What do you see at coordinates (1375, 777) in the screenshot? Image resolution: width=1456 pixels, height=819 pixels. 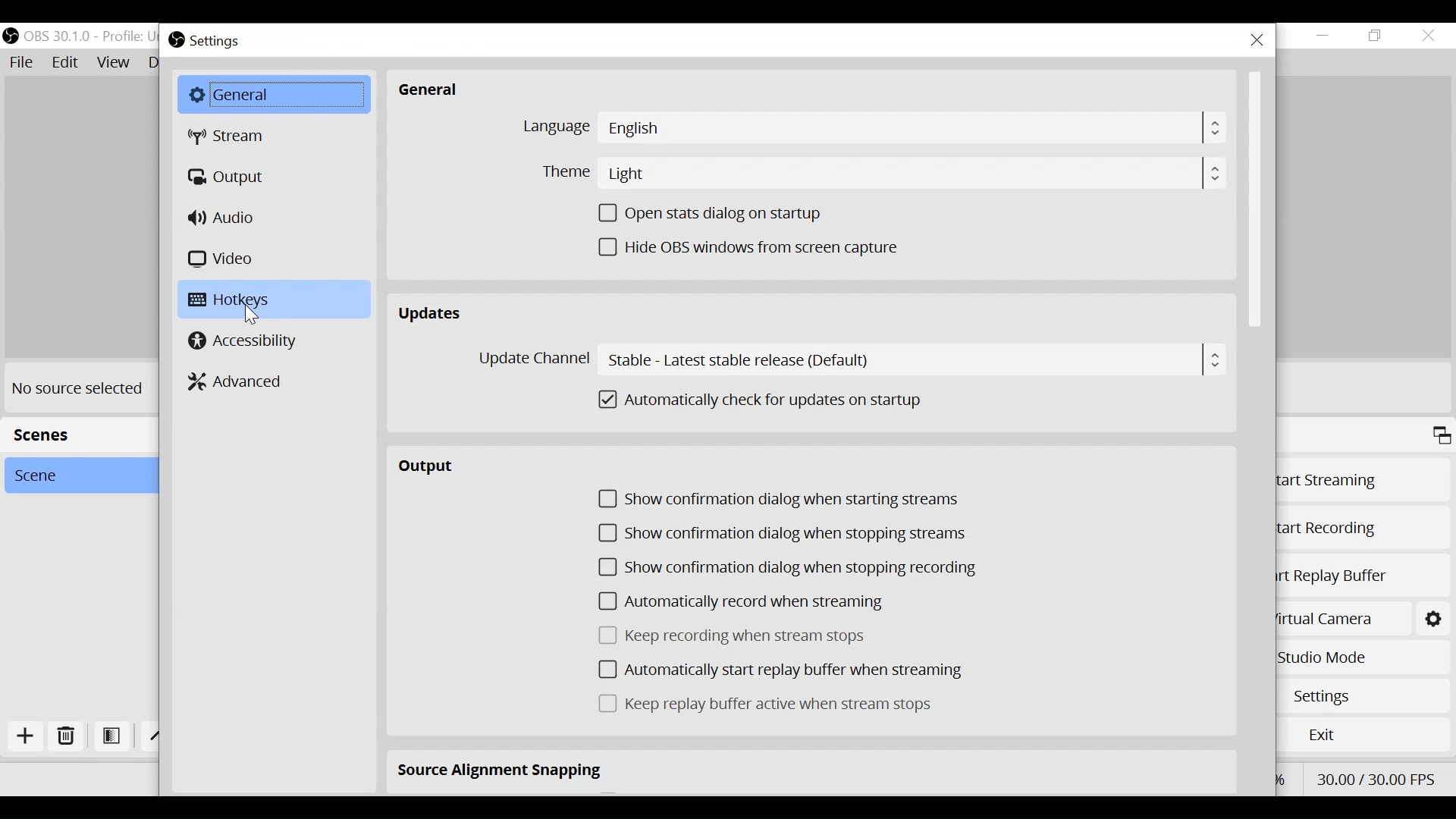 I see `Frame Per Second` at bounding box center [1375, 777].